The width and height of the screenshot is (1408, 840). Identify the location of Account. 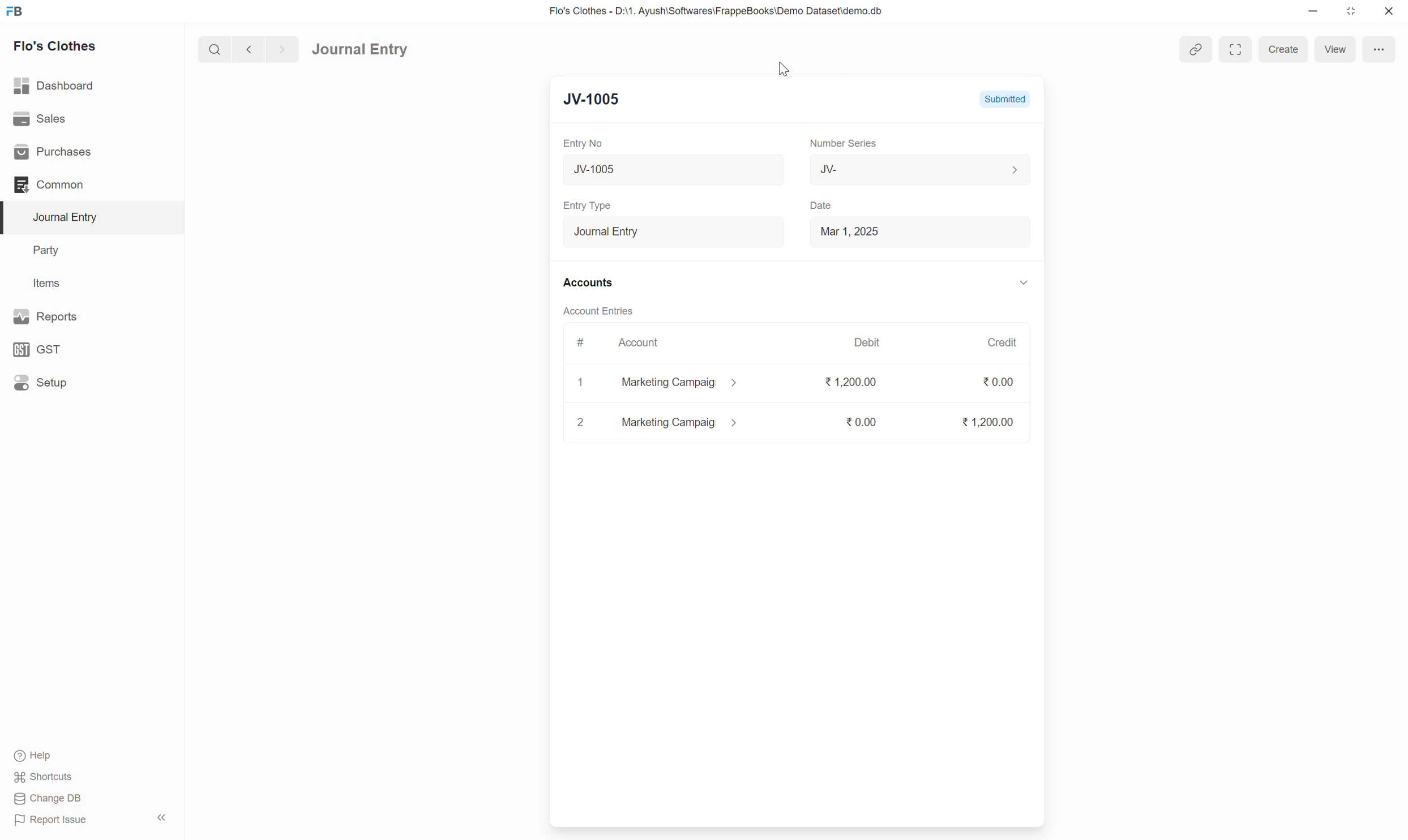
(640, 342).